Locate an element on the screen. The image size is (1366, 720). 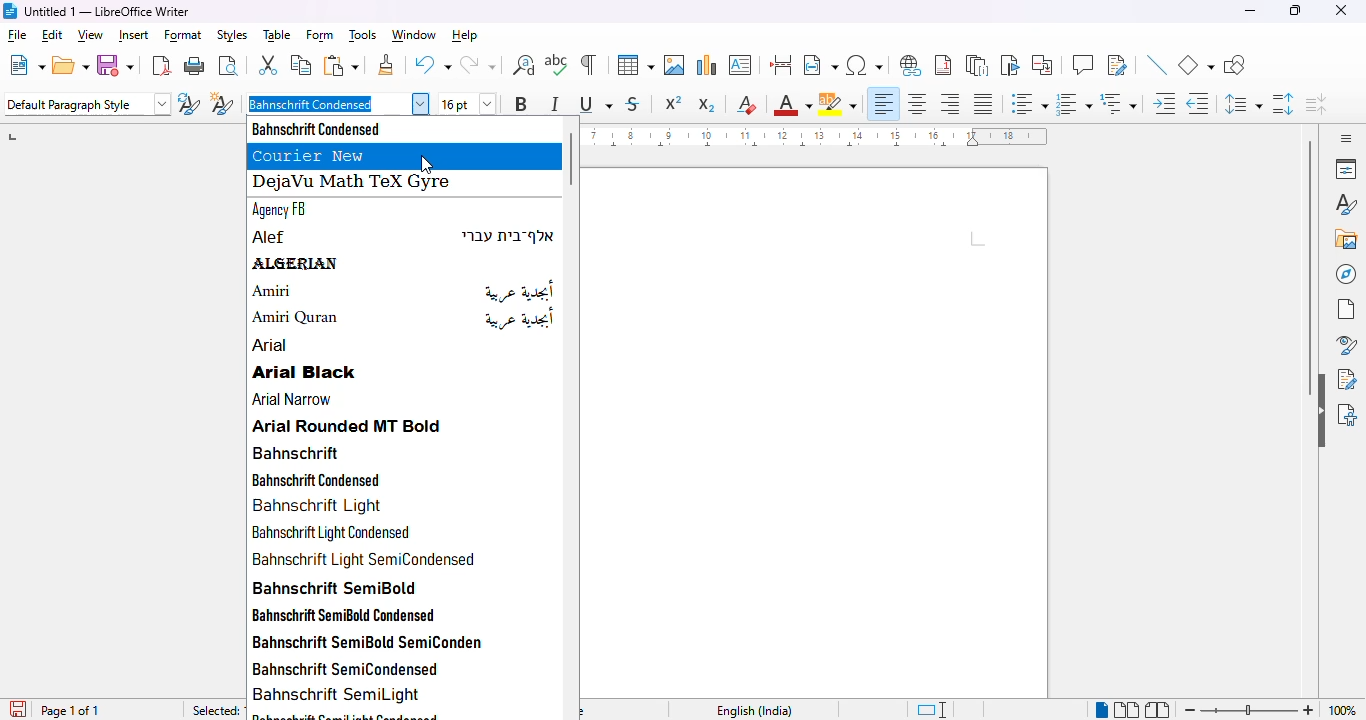
bahnschrift light semicondensed is located at coordinates (365, 559).